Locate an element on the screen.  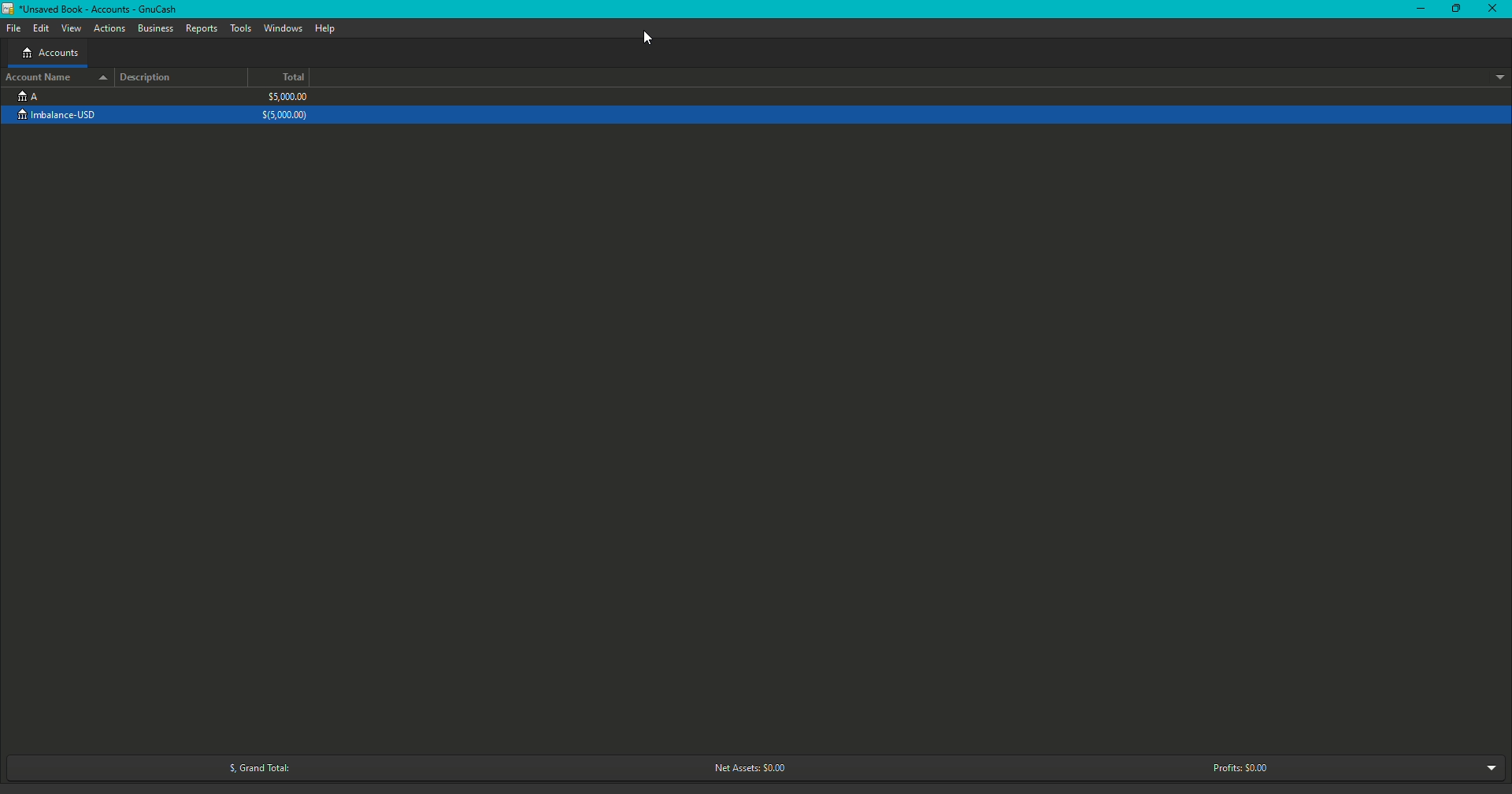
Business is located at coordinates (156, 29).